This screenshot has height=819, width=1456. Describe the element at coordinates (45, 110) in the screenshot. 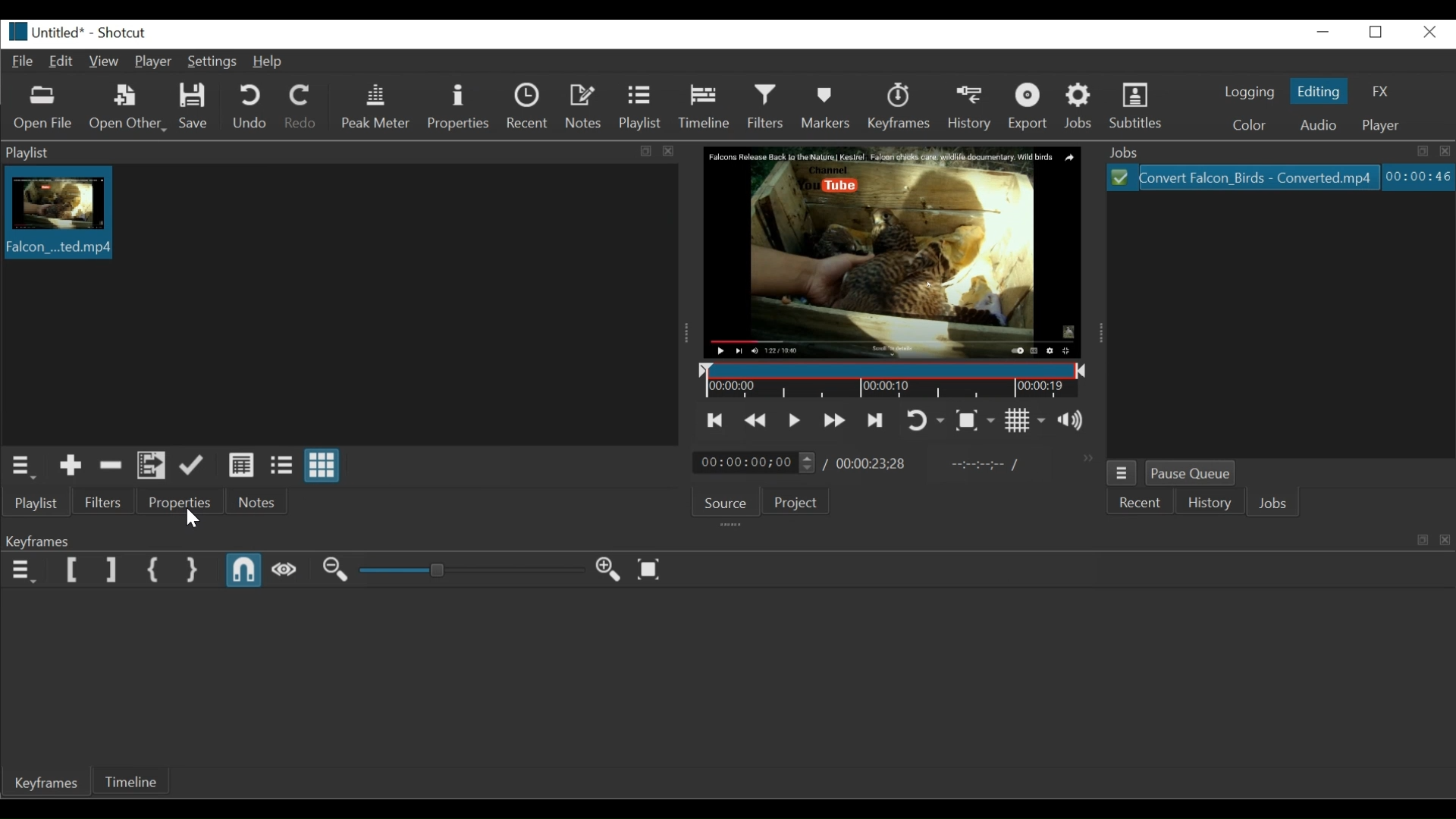

I see `Open File` at that location.